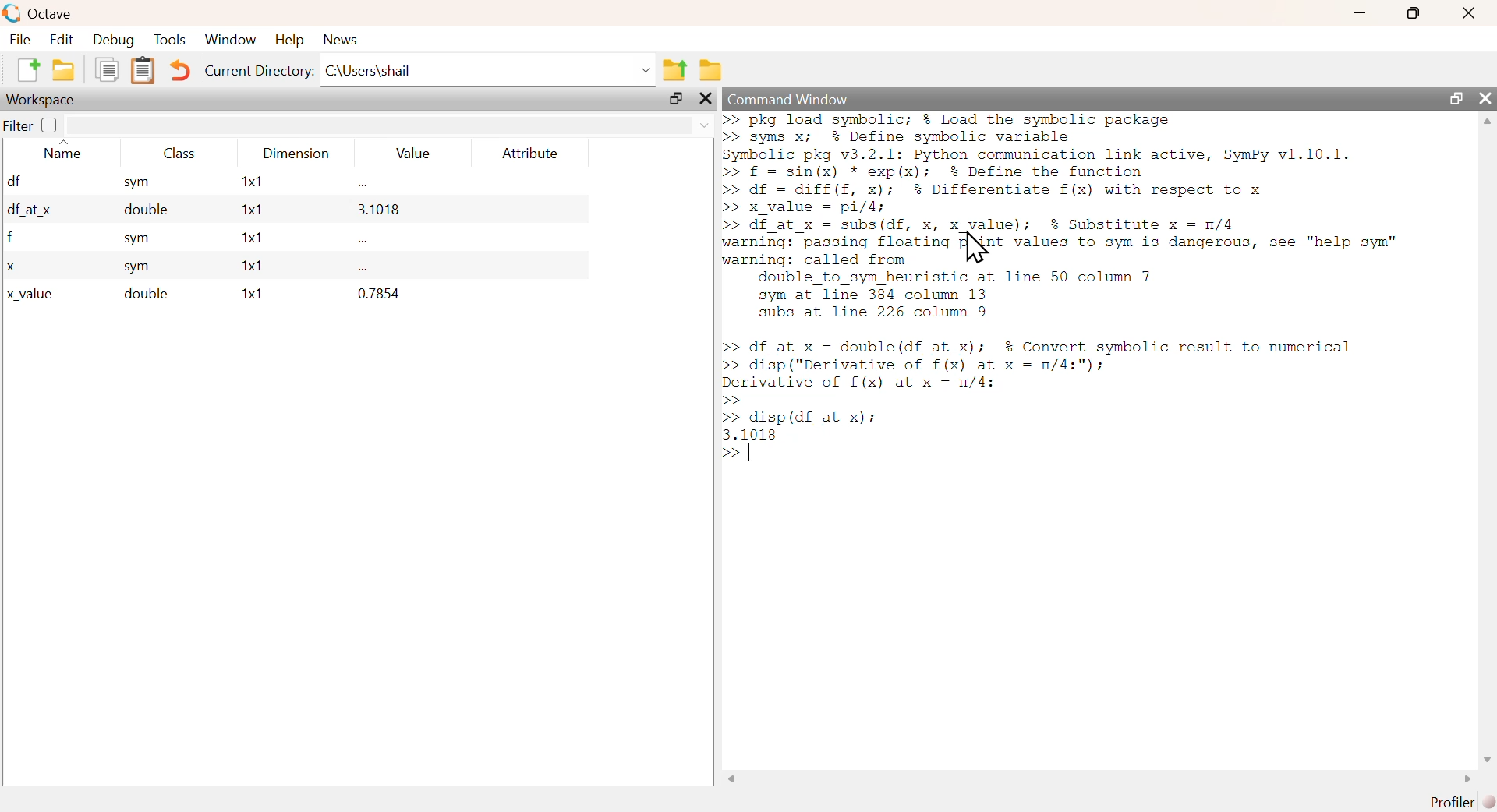  Describe the element at coordinates (1464, 780) in the screenshot. I see `scroll right` at that location.